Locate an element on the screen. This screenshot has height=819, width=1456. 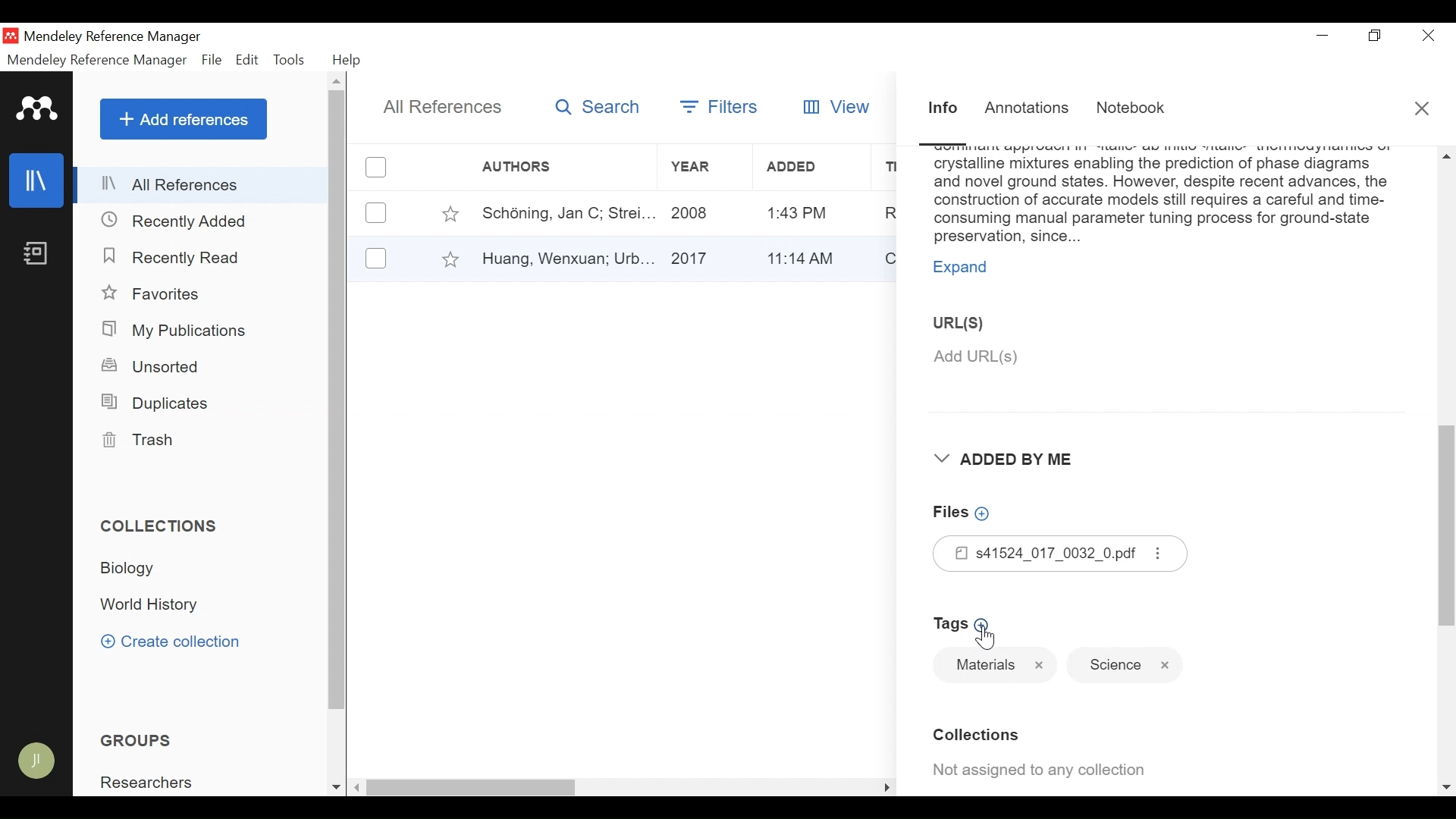
View is located at coordinates (838, 105).